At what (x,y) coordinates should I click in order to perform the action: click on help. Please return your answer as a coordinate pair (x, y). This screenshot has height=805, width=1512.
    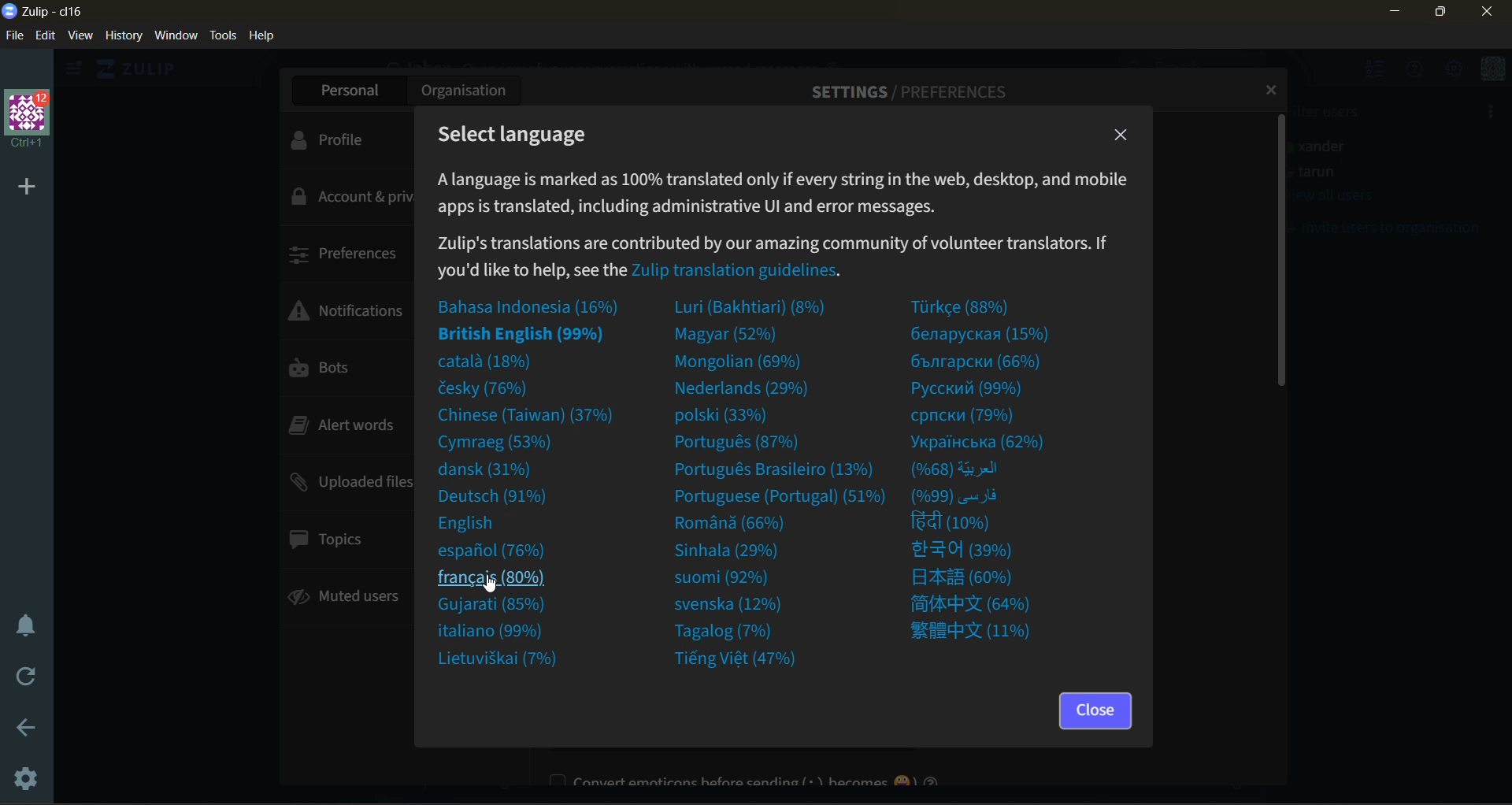
    Looking at the image, I should click on (267, 37).